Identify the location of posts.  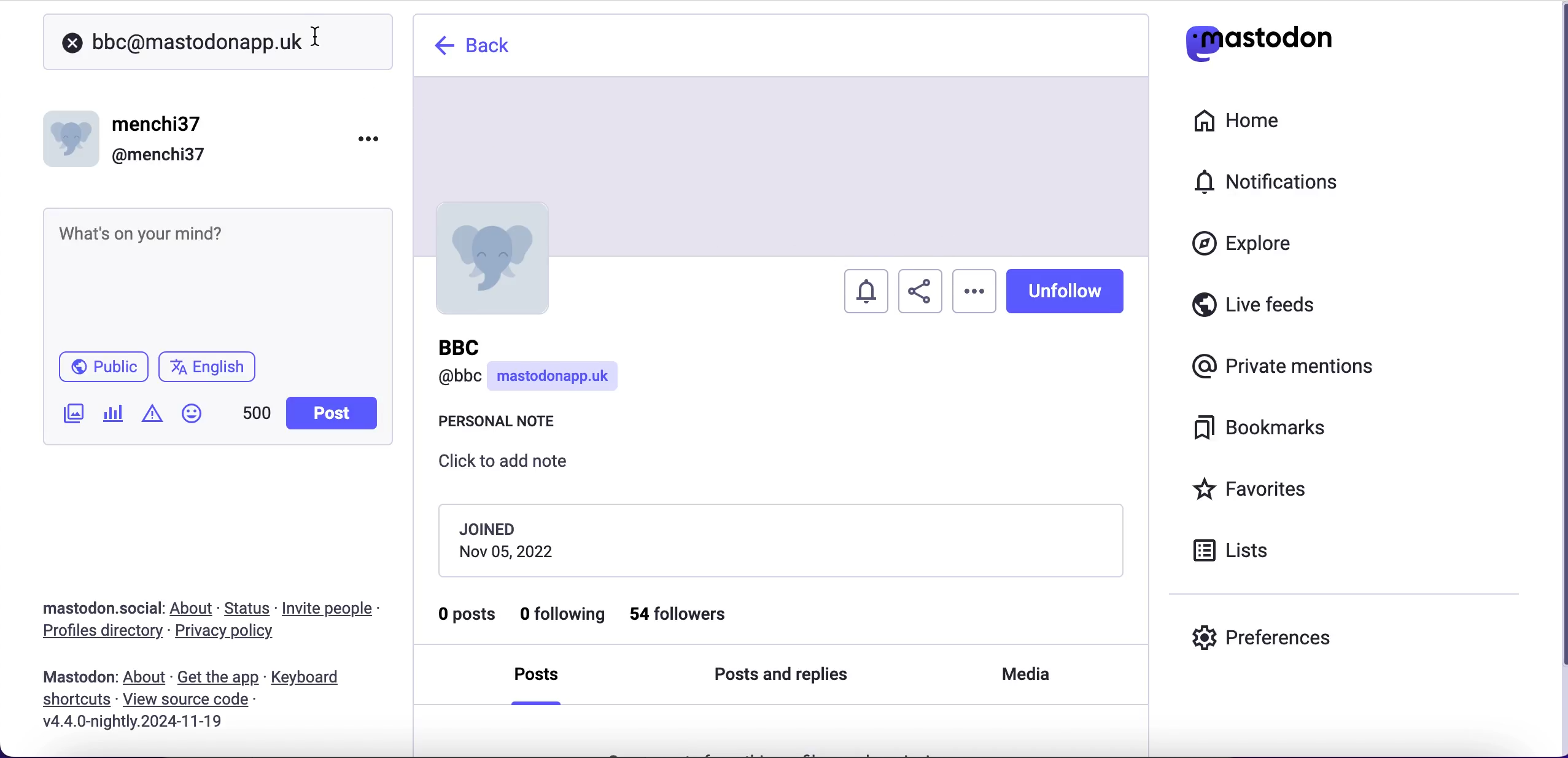
(545, 679).